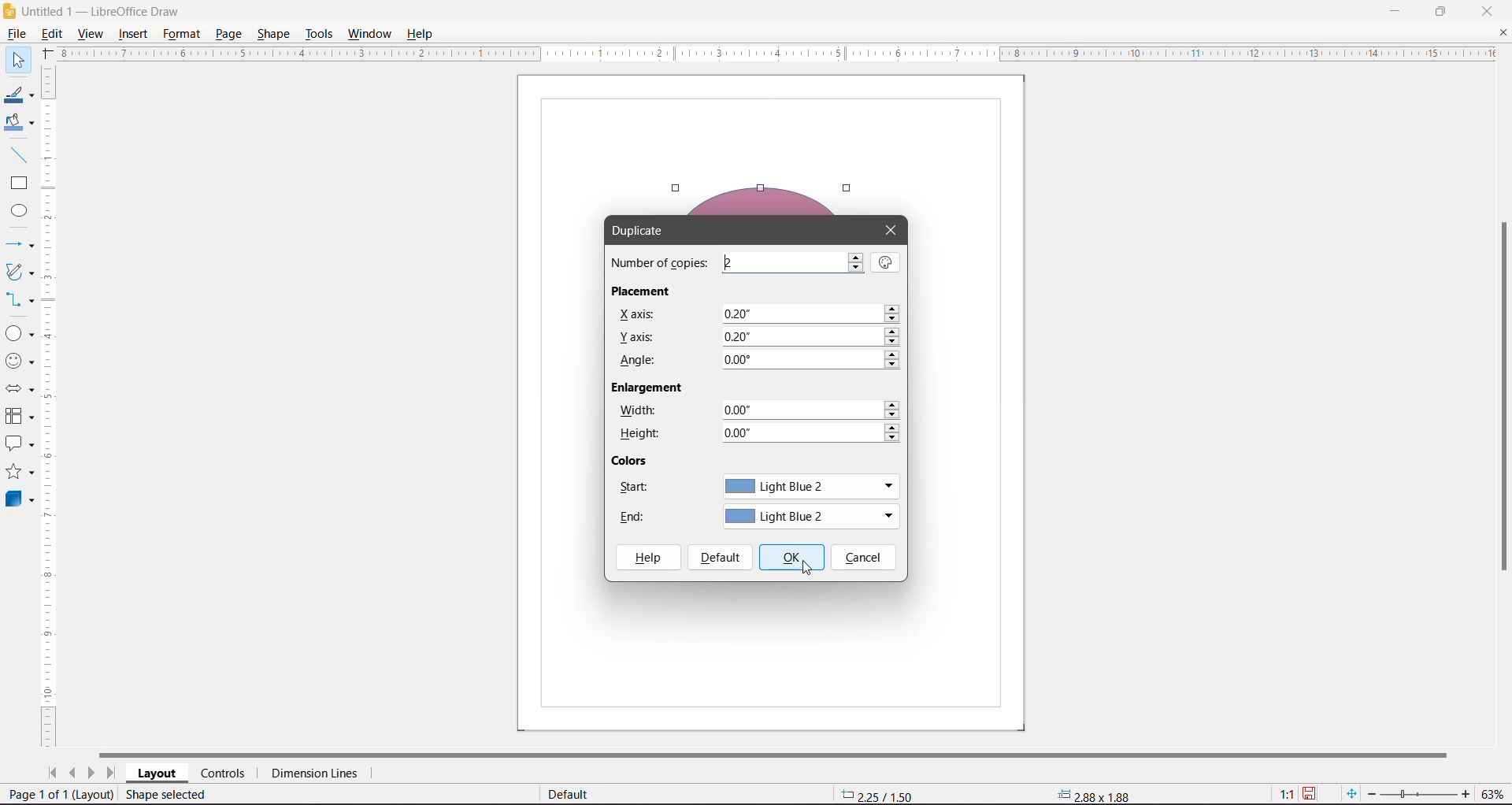  I want to click on File, so click(15, 33).